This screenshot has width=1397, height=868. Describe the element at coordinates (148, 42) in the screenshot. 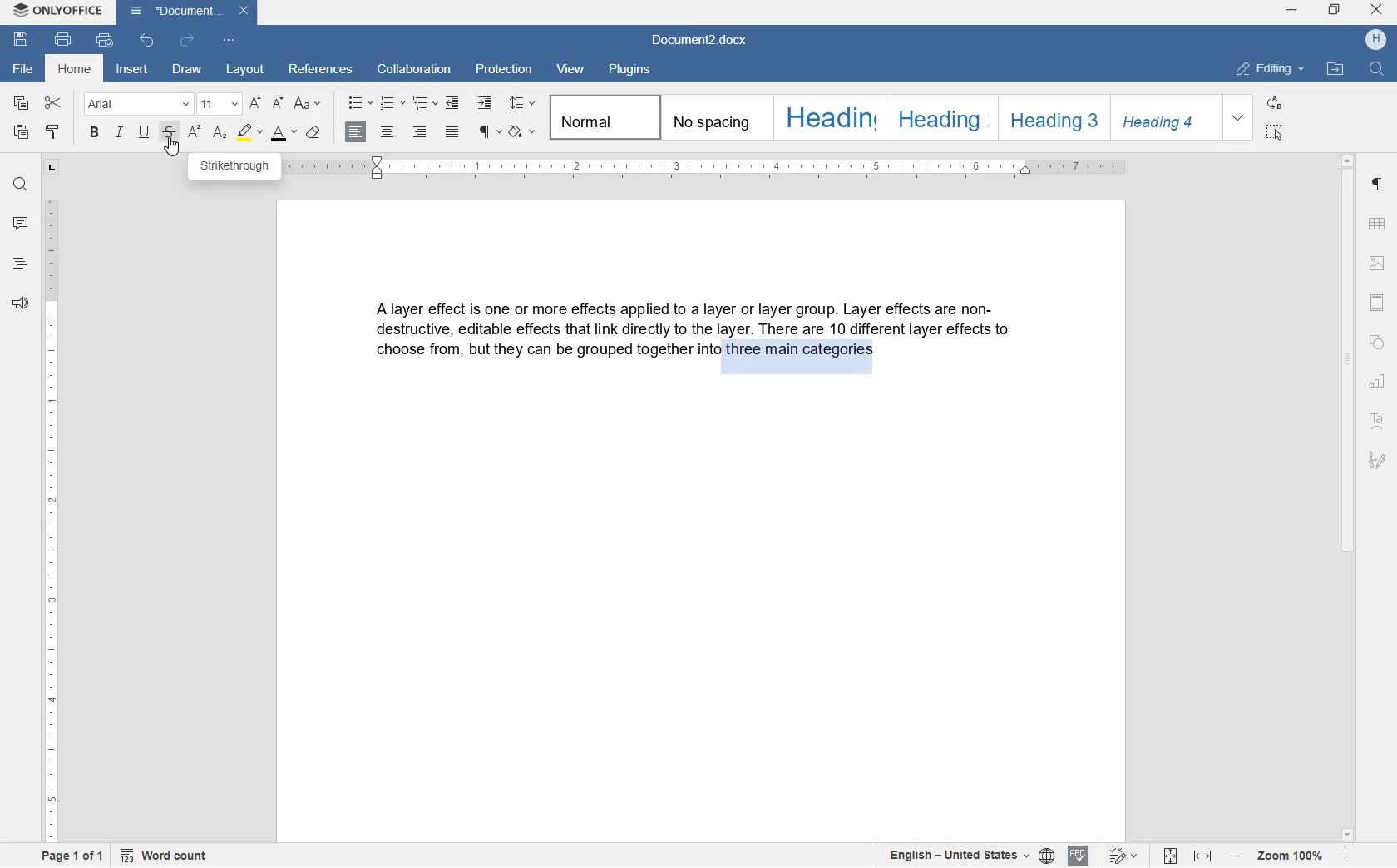

I see `undo` at that location.